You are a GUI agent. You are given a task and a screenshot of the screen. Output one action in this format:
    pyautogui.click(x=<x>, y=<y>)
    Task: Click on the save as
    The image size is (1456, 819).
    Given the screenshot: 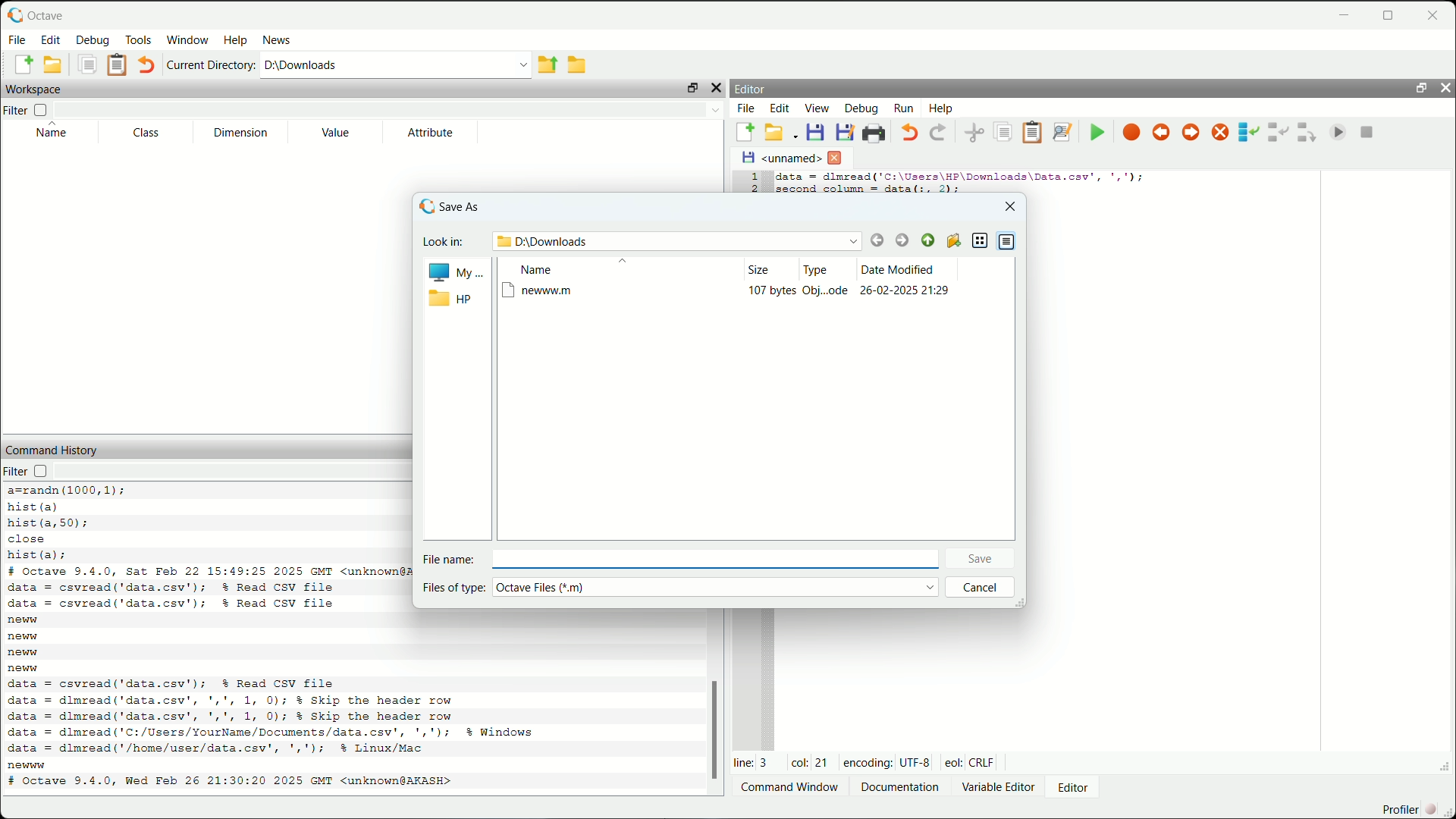 What is the action you would take?
    pyautogui.click(x=472, y=207)
    